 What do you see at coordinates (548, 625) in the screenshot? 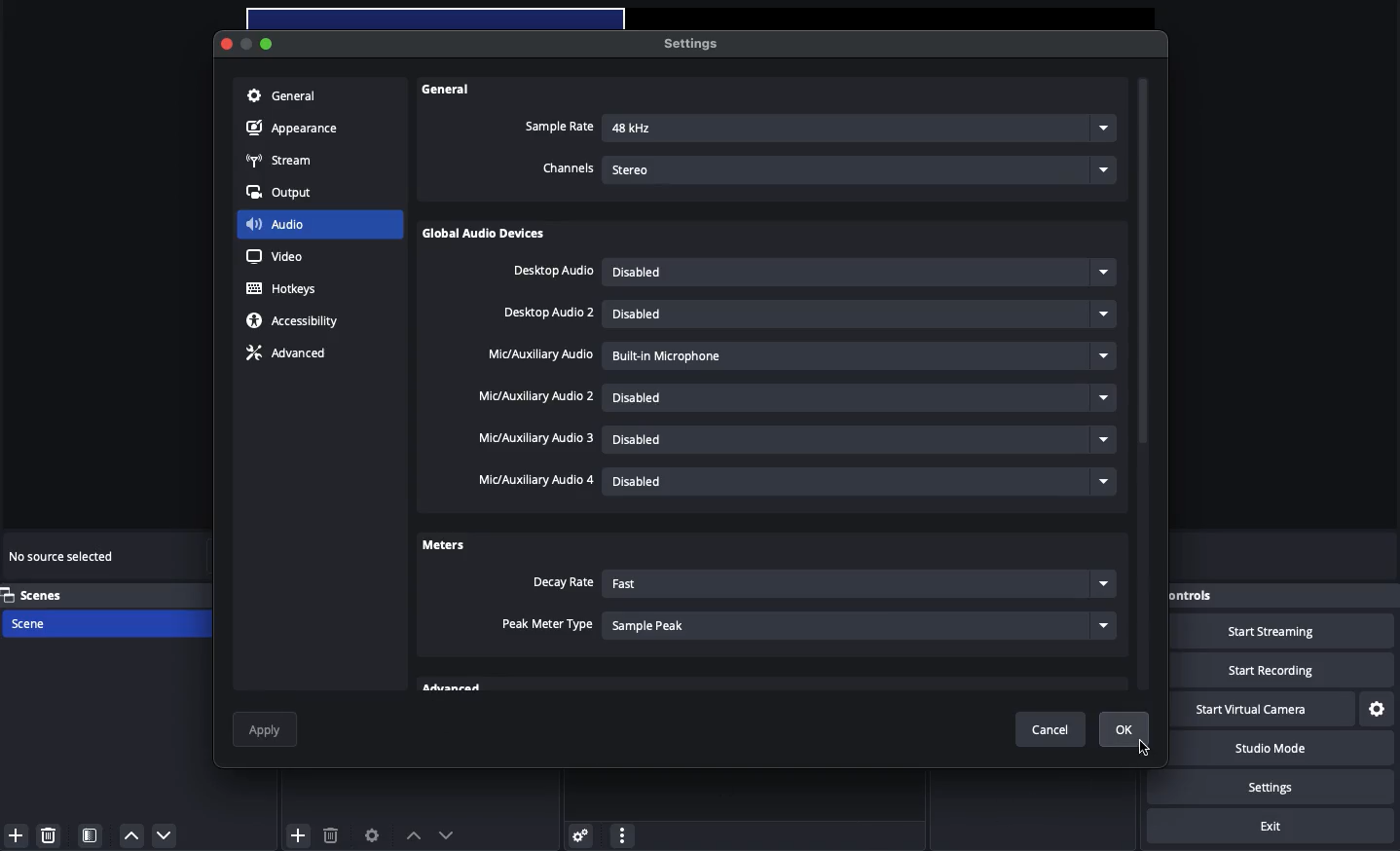
I see `Snap sensitivity` at bounding box center [548, 625].